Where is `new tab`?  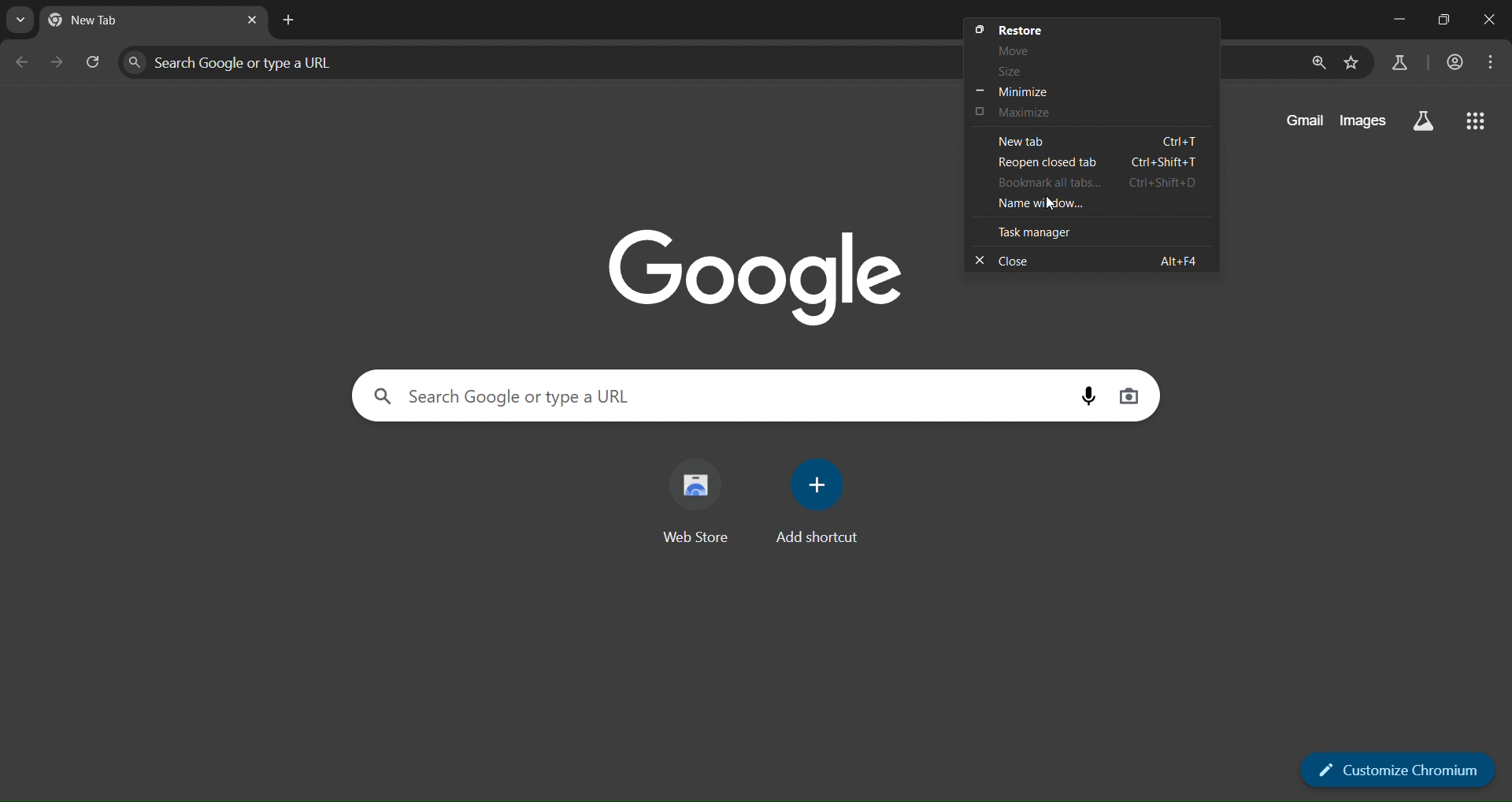 new tab is located at coordinates (106, 18).